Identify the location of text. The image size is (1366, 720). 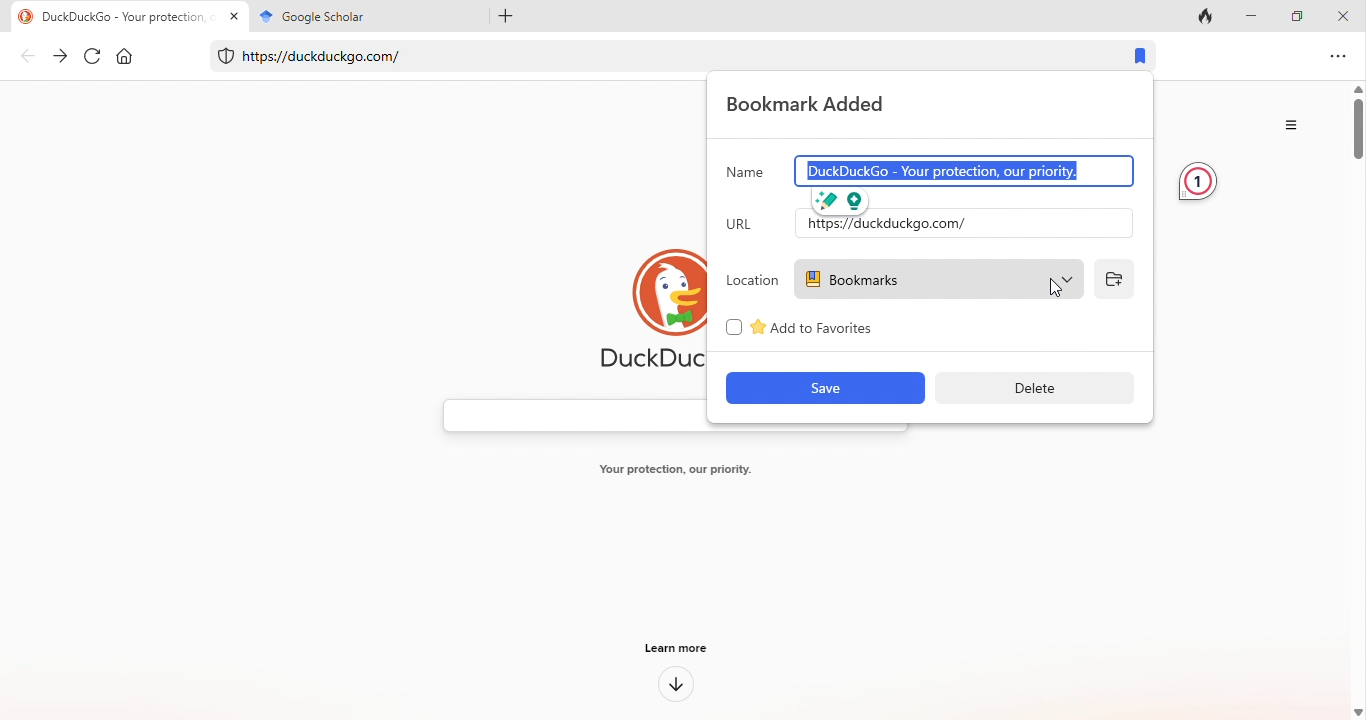
(671, 471).